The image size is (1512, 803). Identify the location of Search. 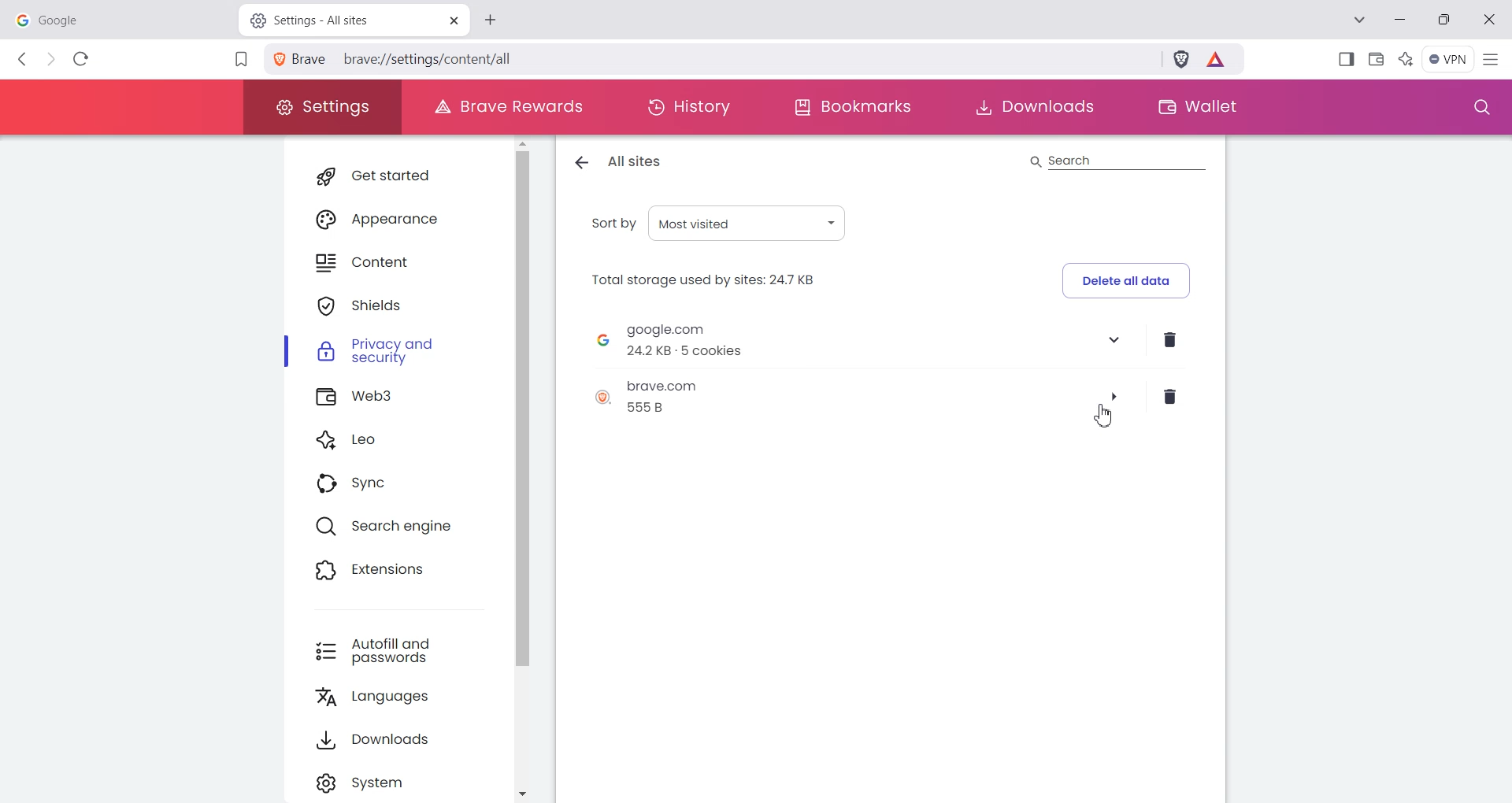
(1118, 162).